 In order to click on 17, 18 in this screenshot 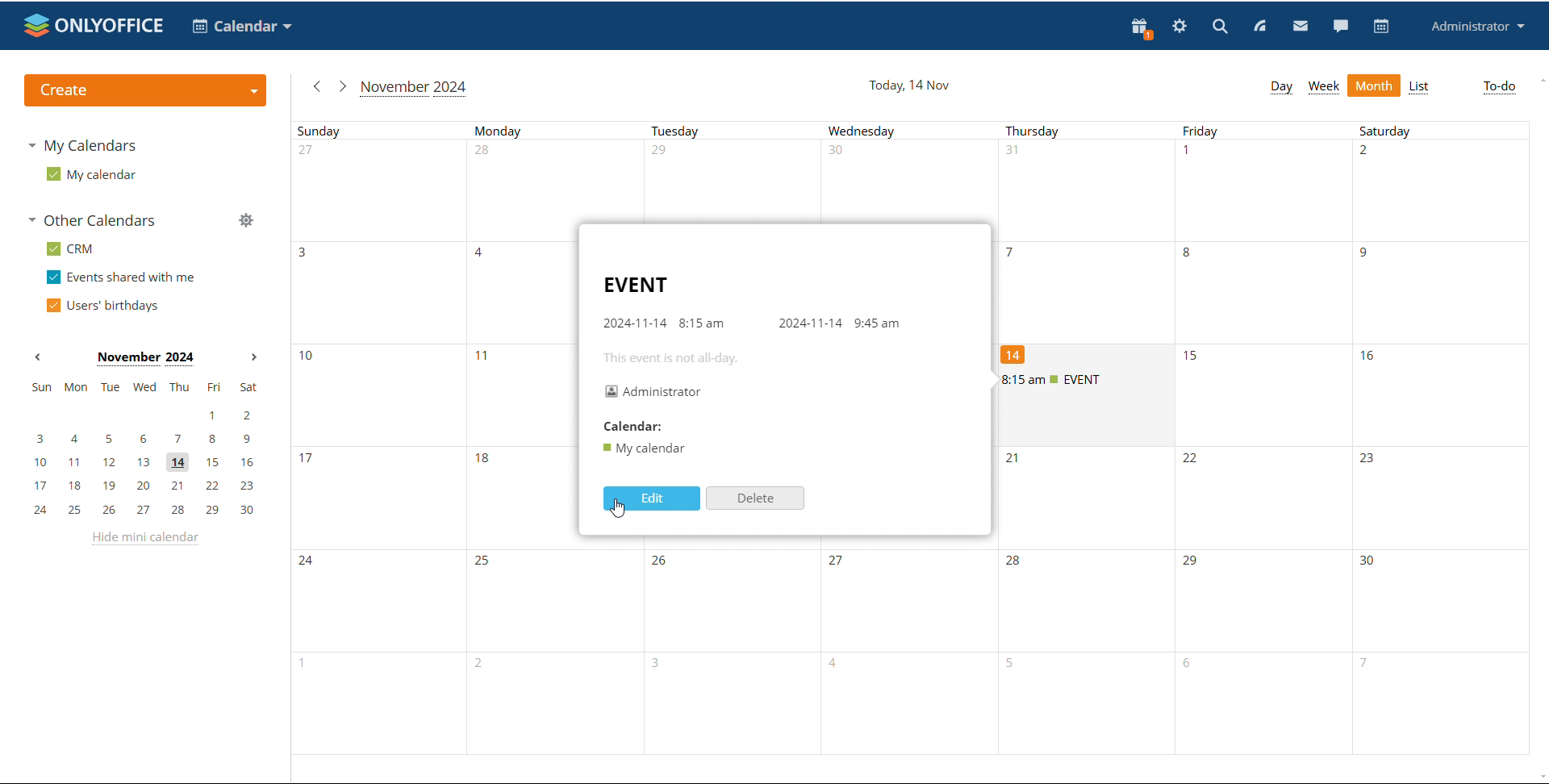, I will do `click(428, 496)`.